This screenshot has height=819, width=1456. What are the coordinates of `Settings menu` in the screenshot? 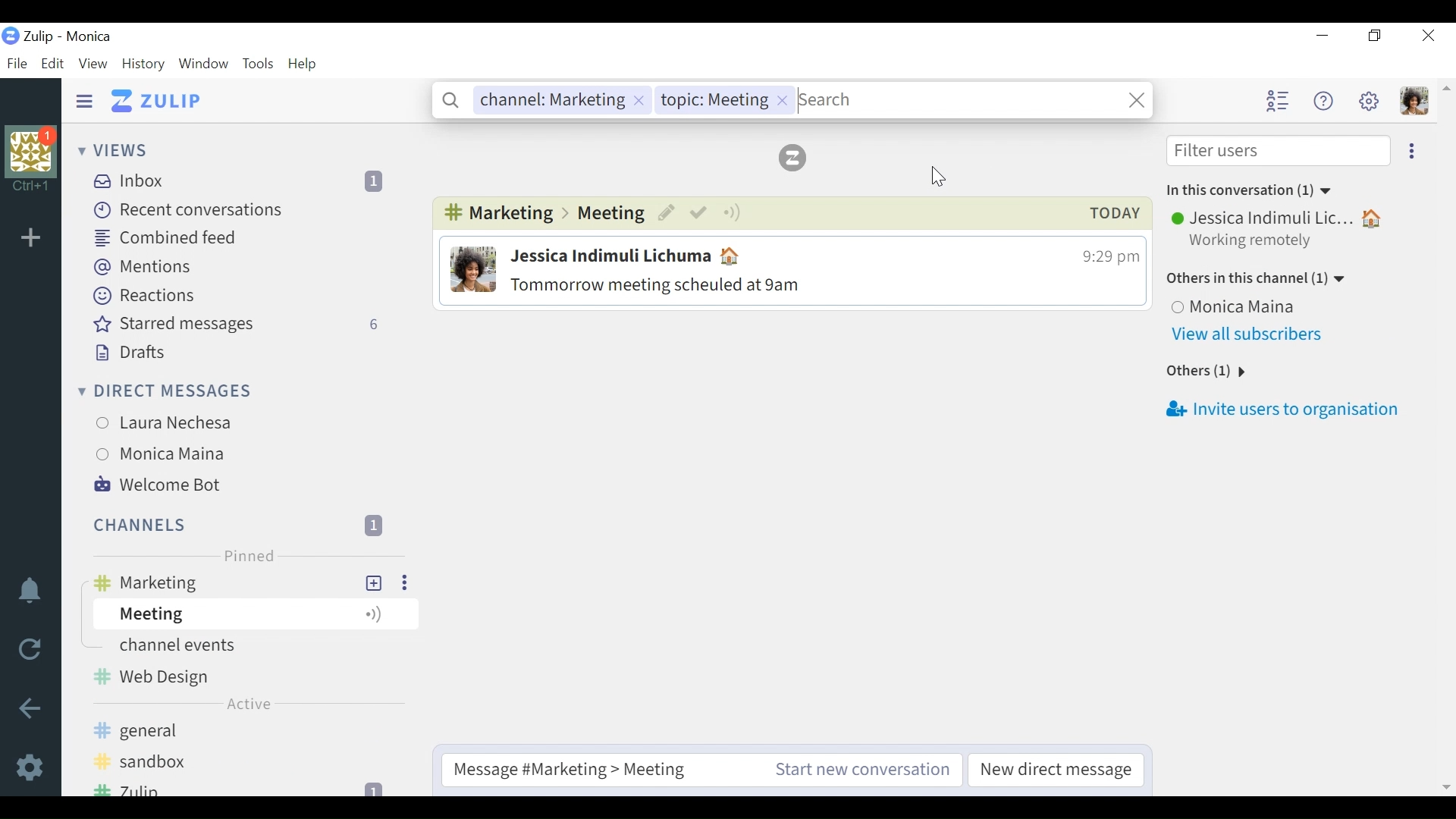 It's located at (1370, 100).